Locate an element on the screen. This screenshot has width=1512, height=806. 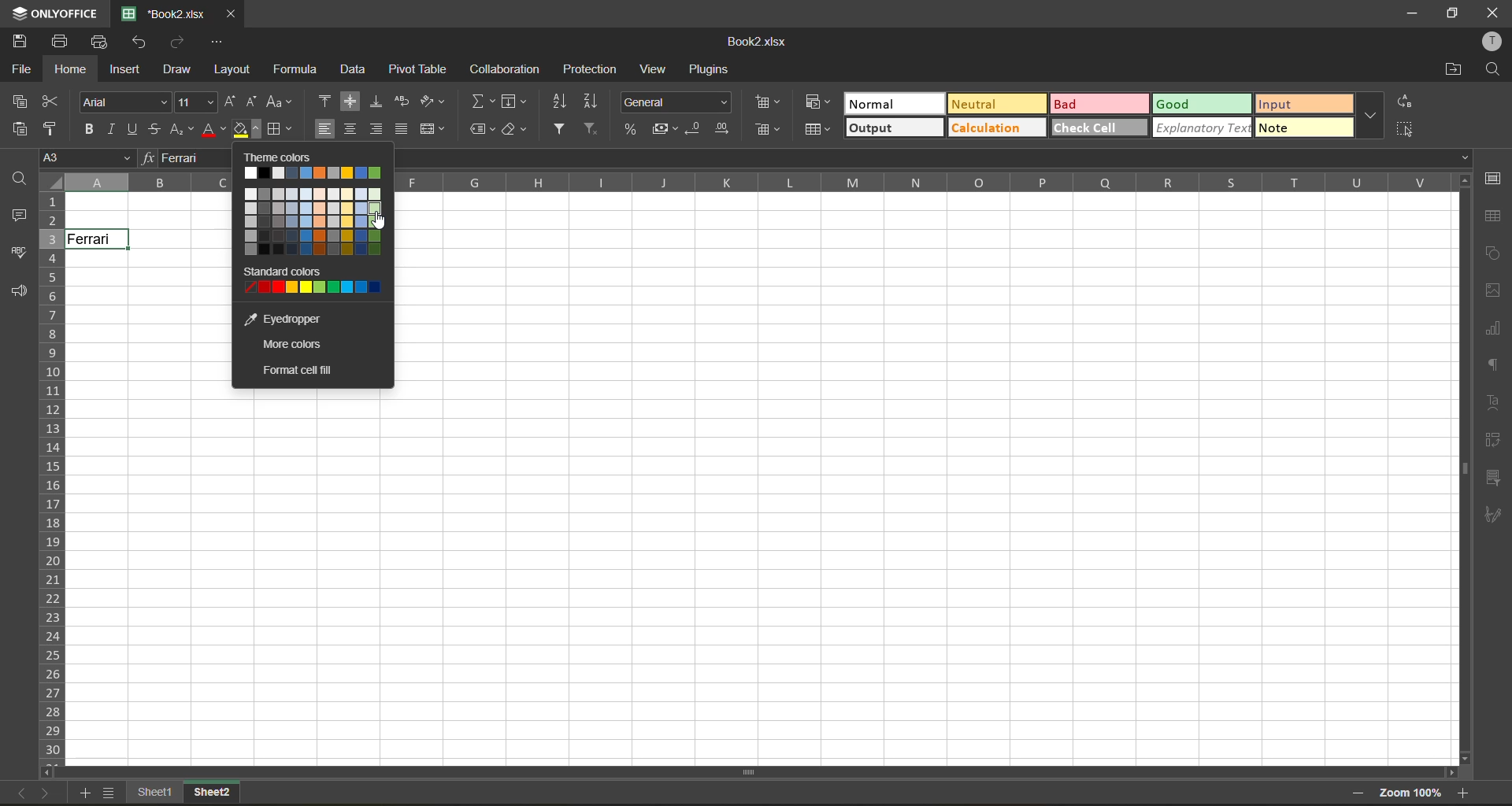
format as table is located at coordinates (817, 131).